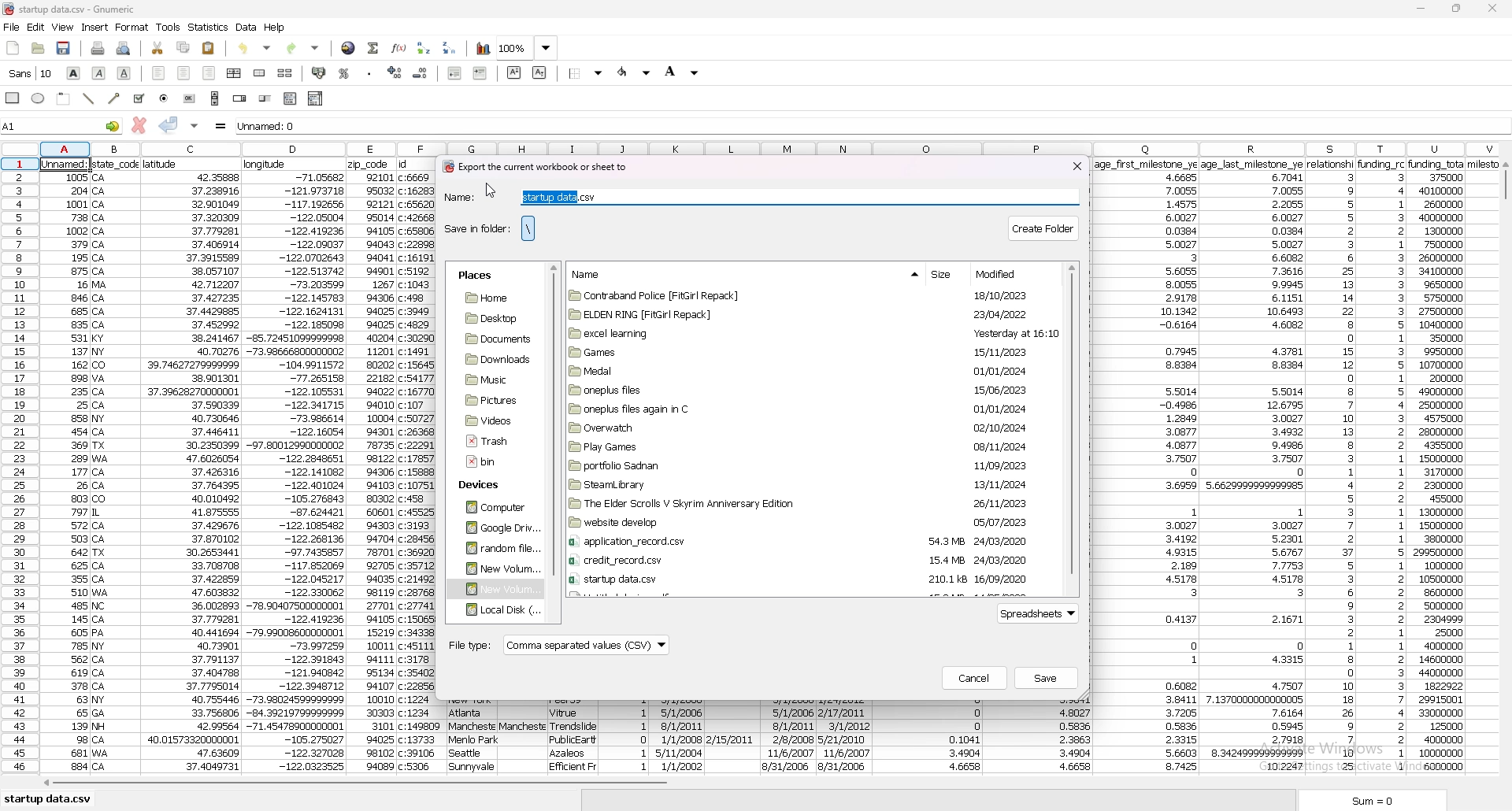 Image resolution: width=1512 pixels, height=811 pixels. Describe the element at coordinates (496, 548) in the screenshot. I see `folder` at that location.